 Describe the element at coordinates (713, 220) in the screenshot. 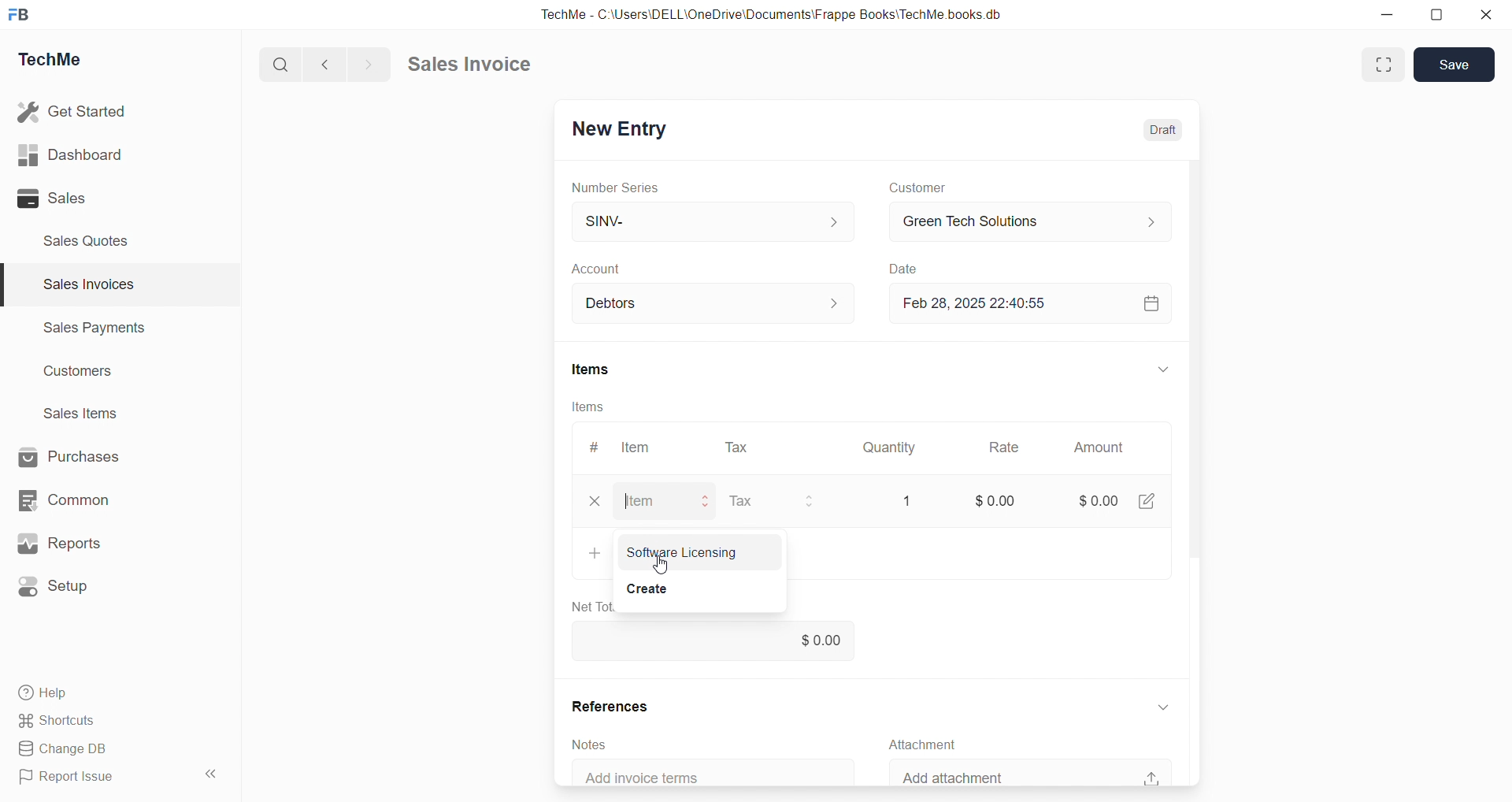

I see `SINV-` at that location.